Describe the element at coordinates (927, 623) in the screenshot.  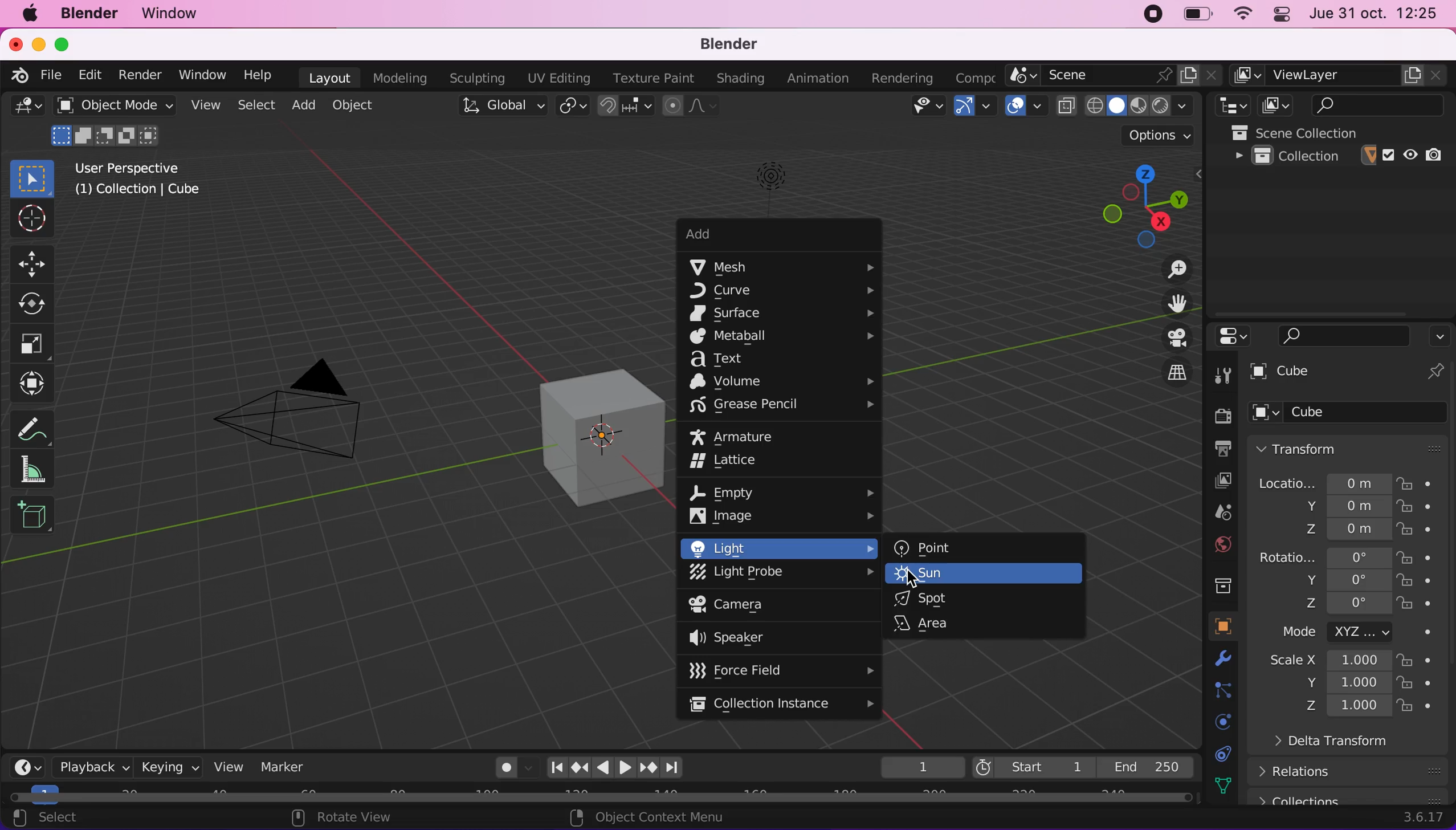
I see `area` at that location.